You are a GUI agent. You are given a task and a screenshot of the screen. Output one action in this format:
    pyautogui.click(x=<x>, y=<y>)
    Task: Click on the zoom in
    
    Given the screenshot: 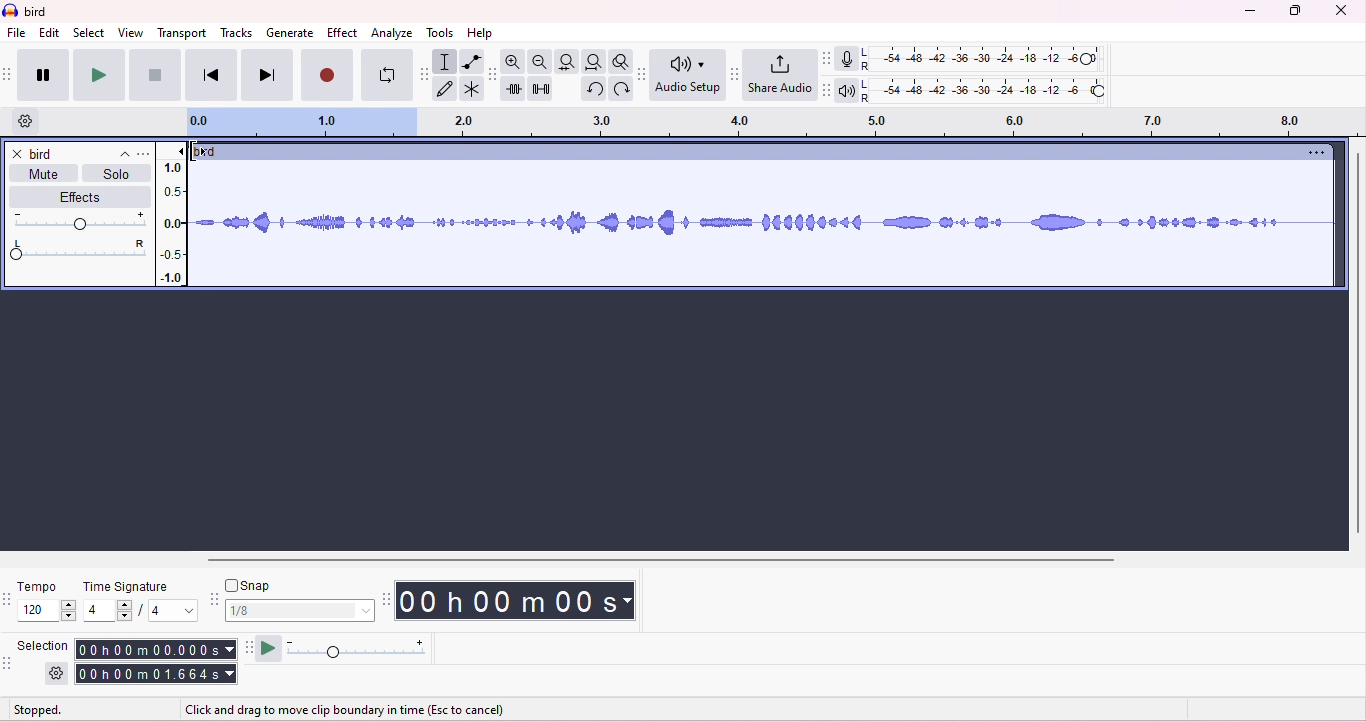 What is the action you would take?
    pyautogui.click(x=517, y=62)
    